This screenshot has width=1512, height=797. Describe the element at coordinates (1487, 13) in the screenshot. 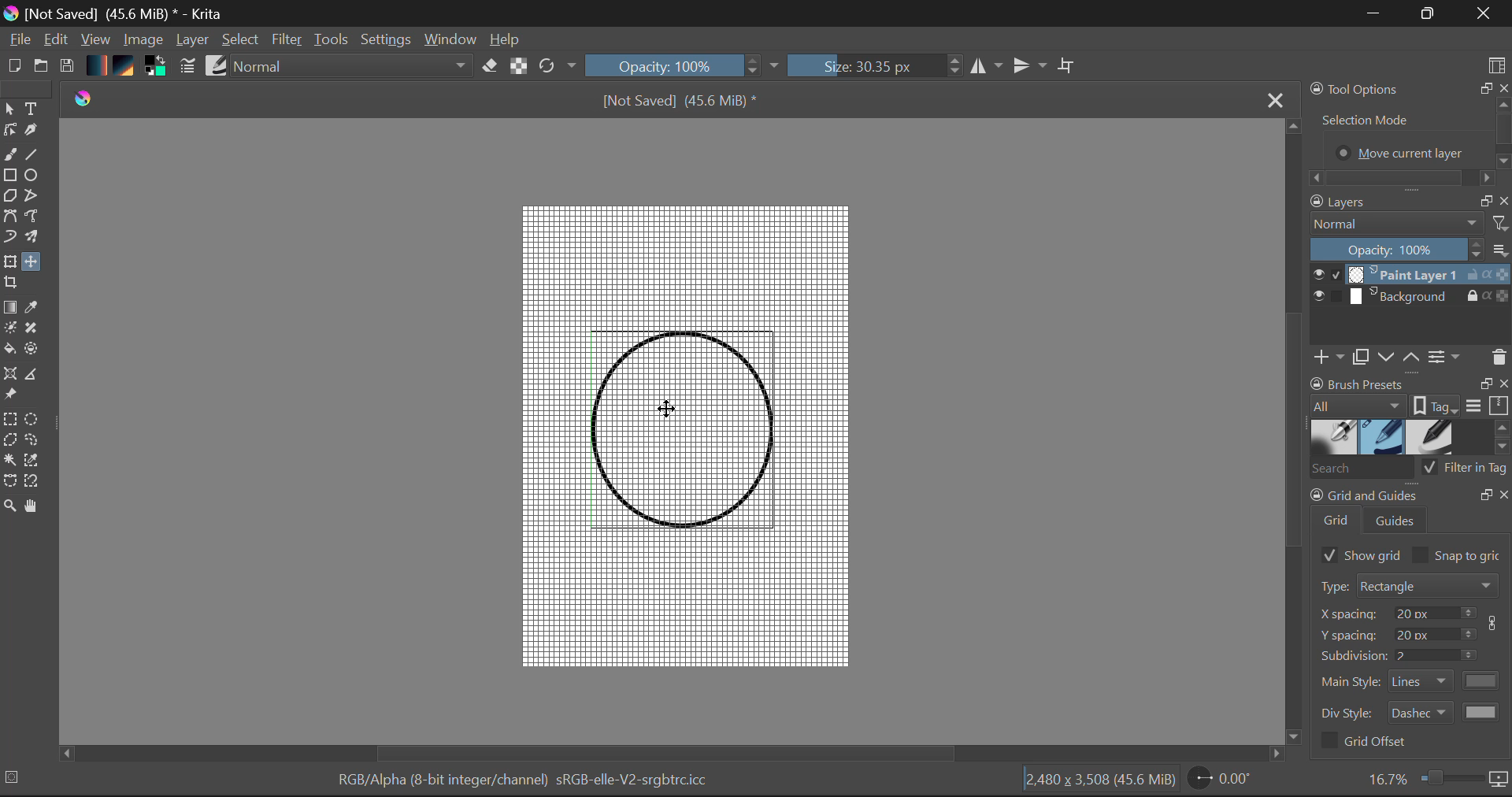

I see `Close` at that location.